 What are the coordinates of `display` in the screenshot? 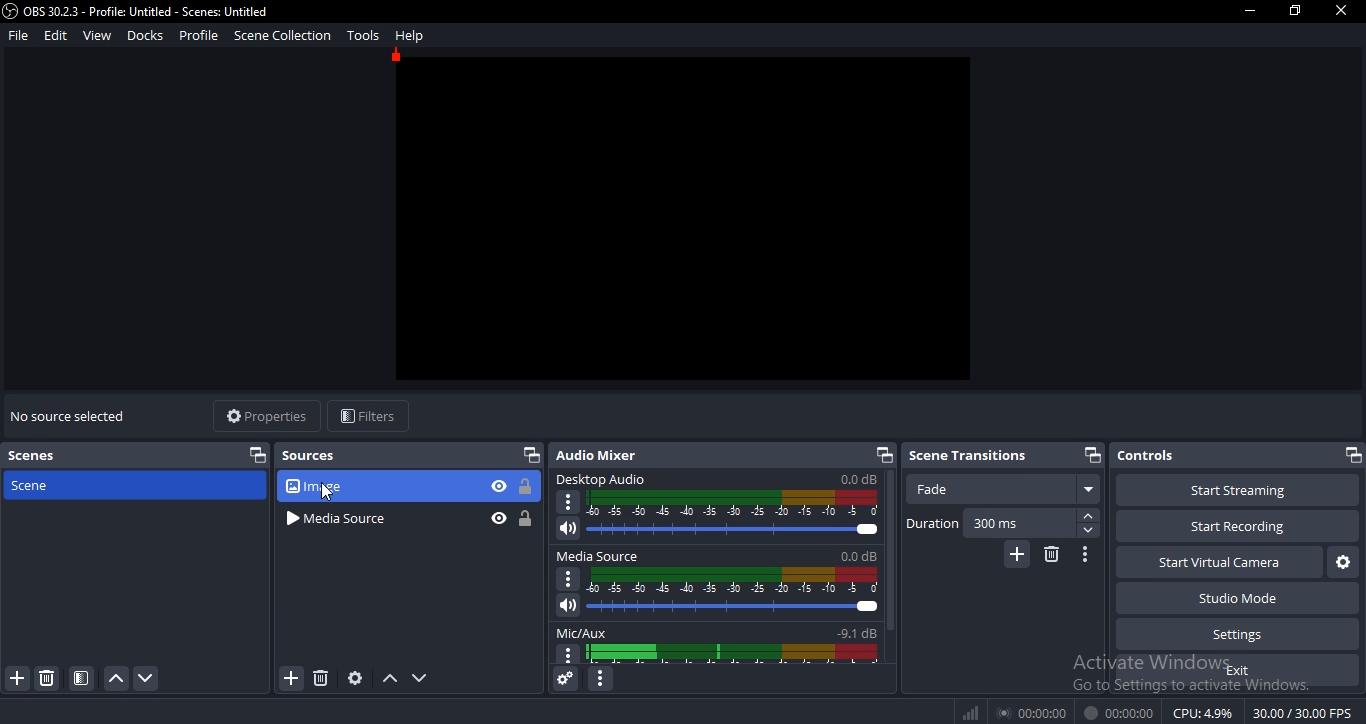 It's located at (731, 581).